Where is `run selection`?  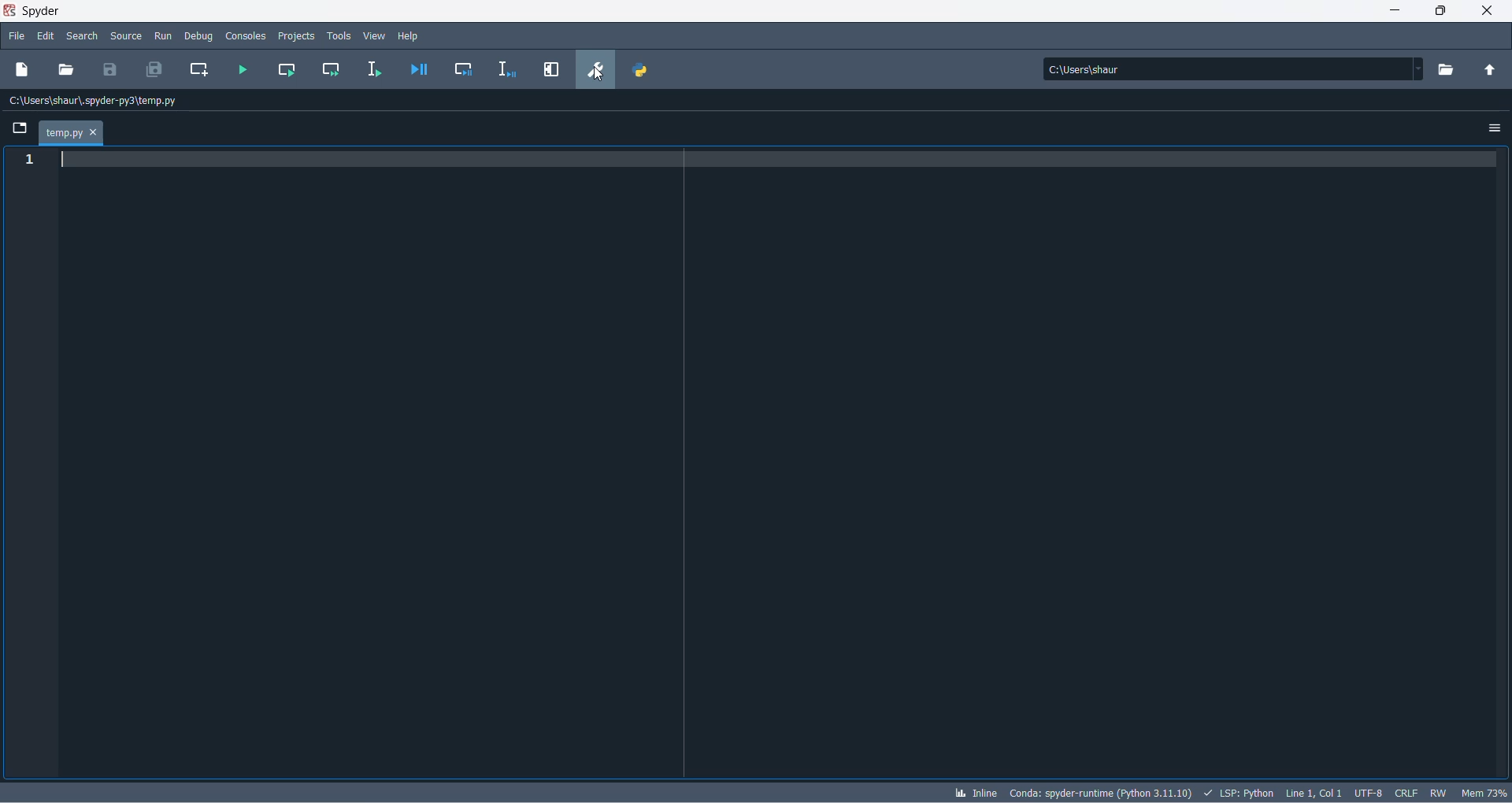
run selection is located at coordinates (372, 68).